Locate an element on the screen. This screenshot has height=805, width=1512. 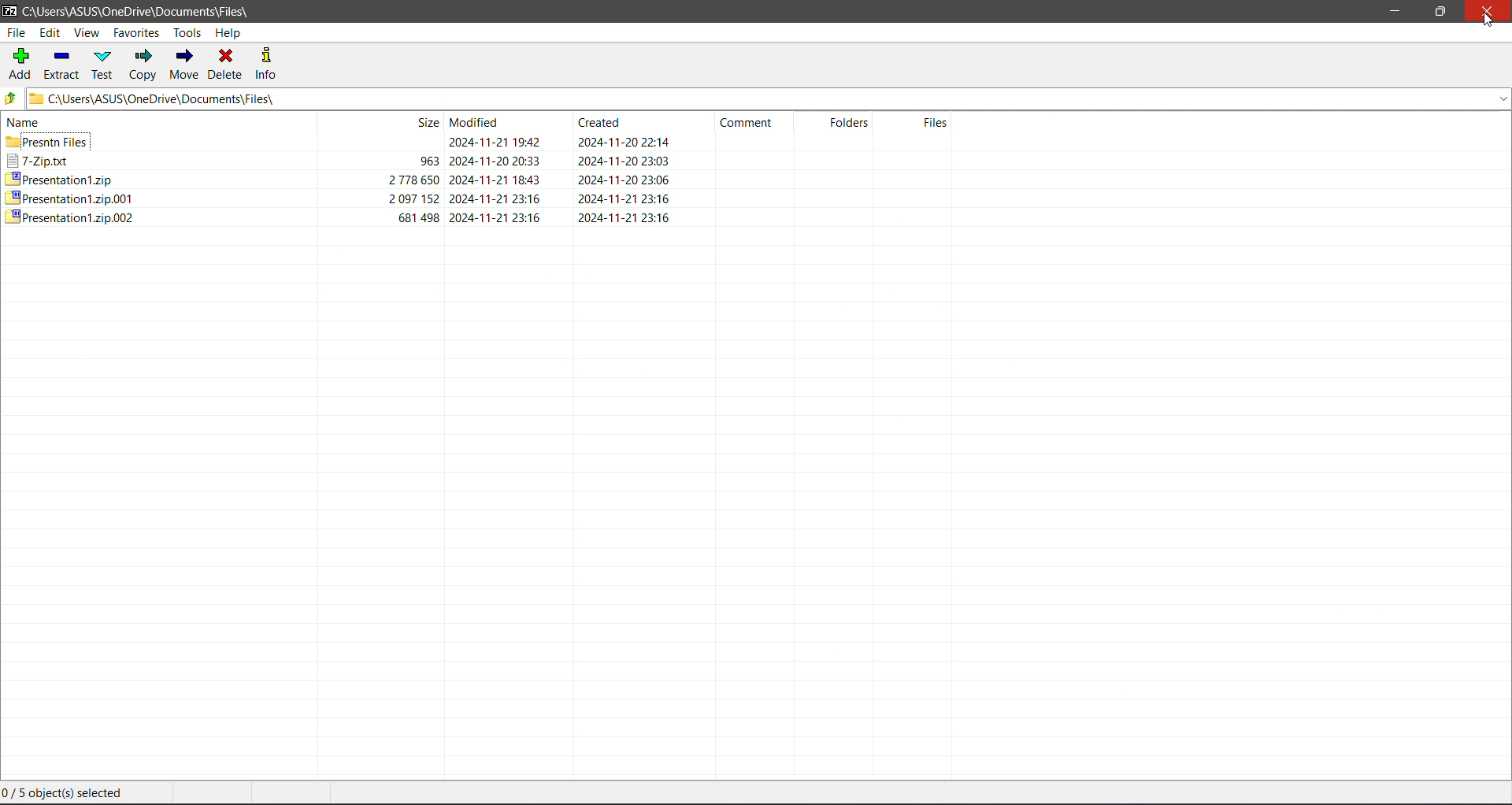
name is located at coordinates (28, 125).